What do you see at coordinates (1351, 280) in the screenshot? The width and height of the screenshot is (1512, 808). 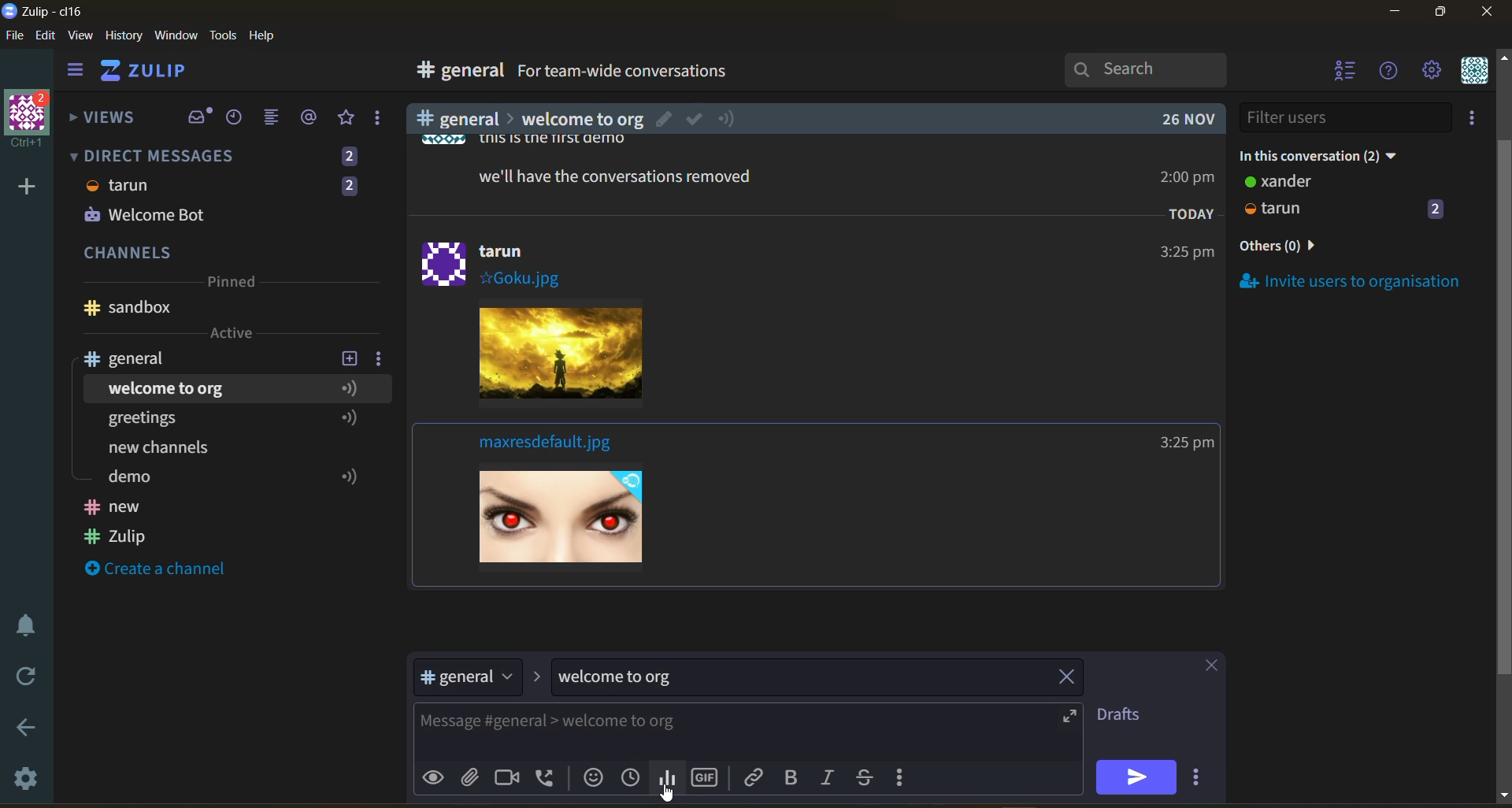 I see `invite users to organisation` at bounding box center [1351, 280].